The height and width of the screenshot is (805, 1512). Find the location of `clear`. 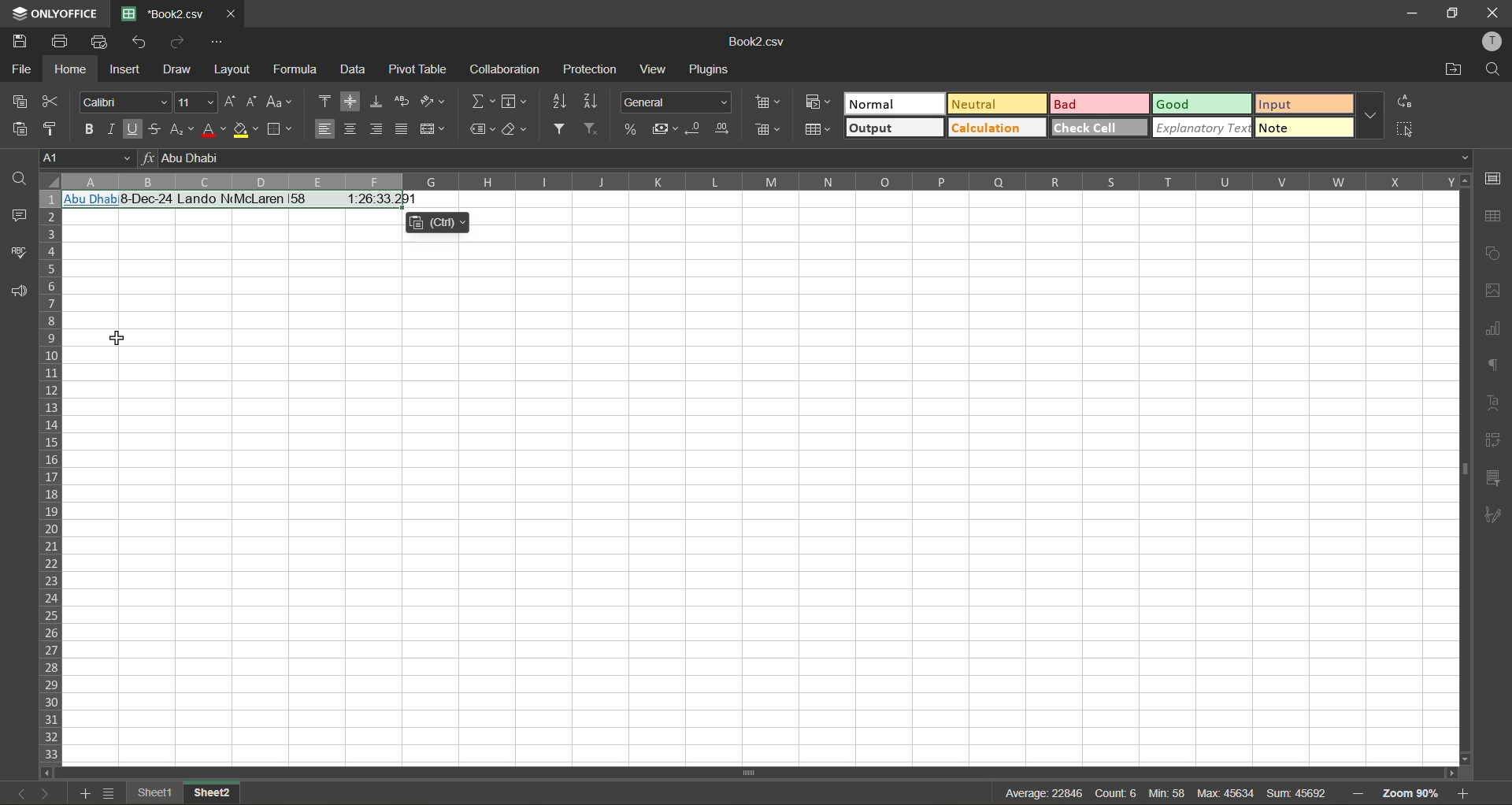

clear is located at coordinates (516, 129).